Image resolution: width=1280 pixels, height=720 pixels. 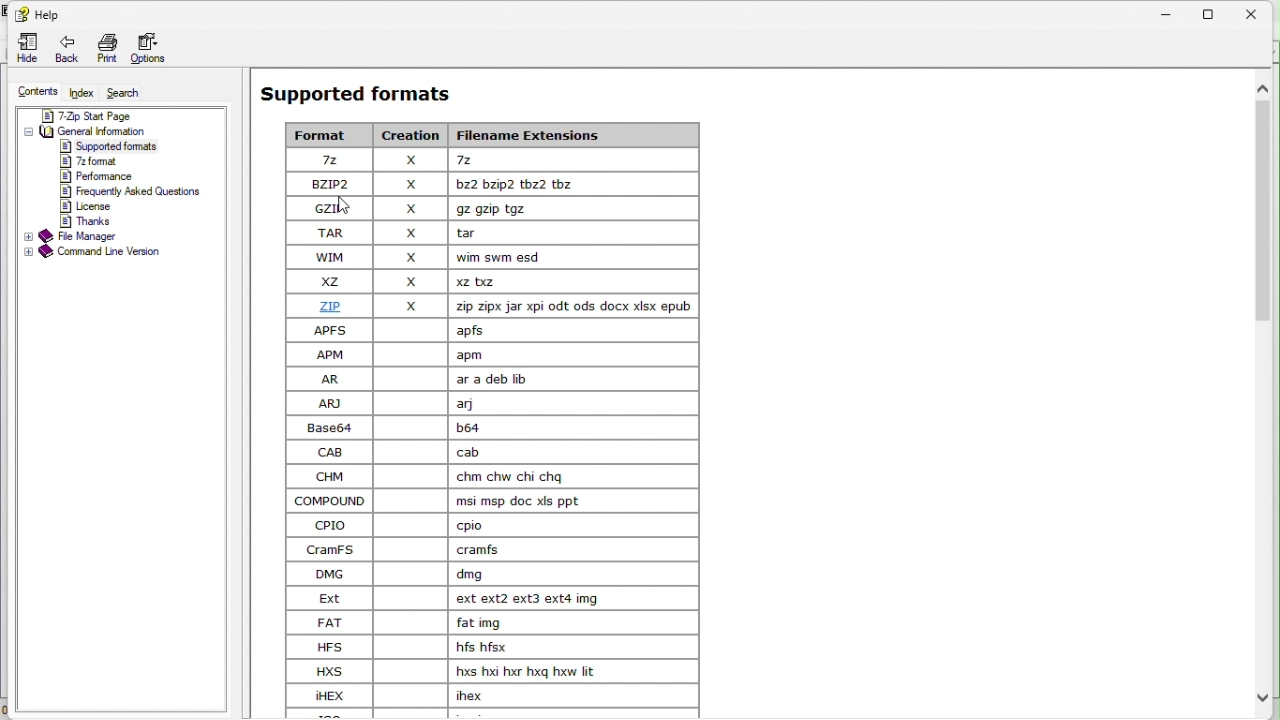 What do you see at coordinates (86, 92) in the screenshot?
I see `Index` at bounding box center [86, 92].